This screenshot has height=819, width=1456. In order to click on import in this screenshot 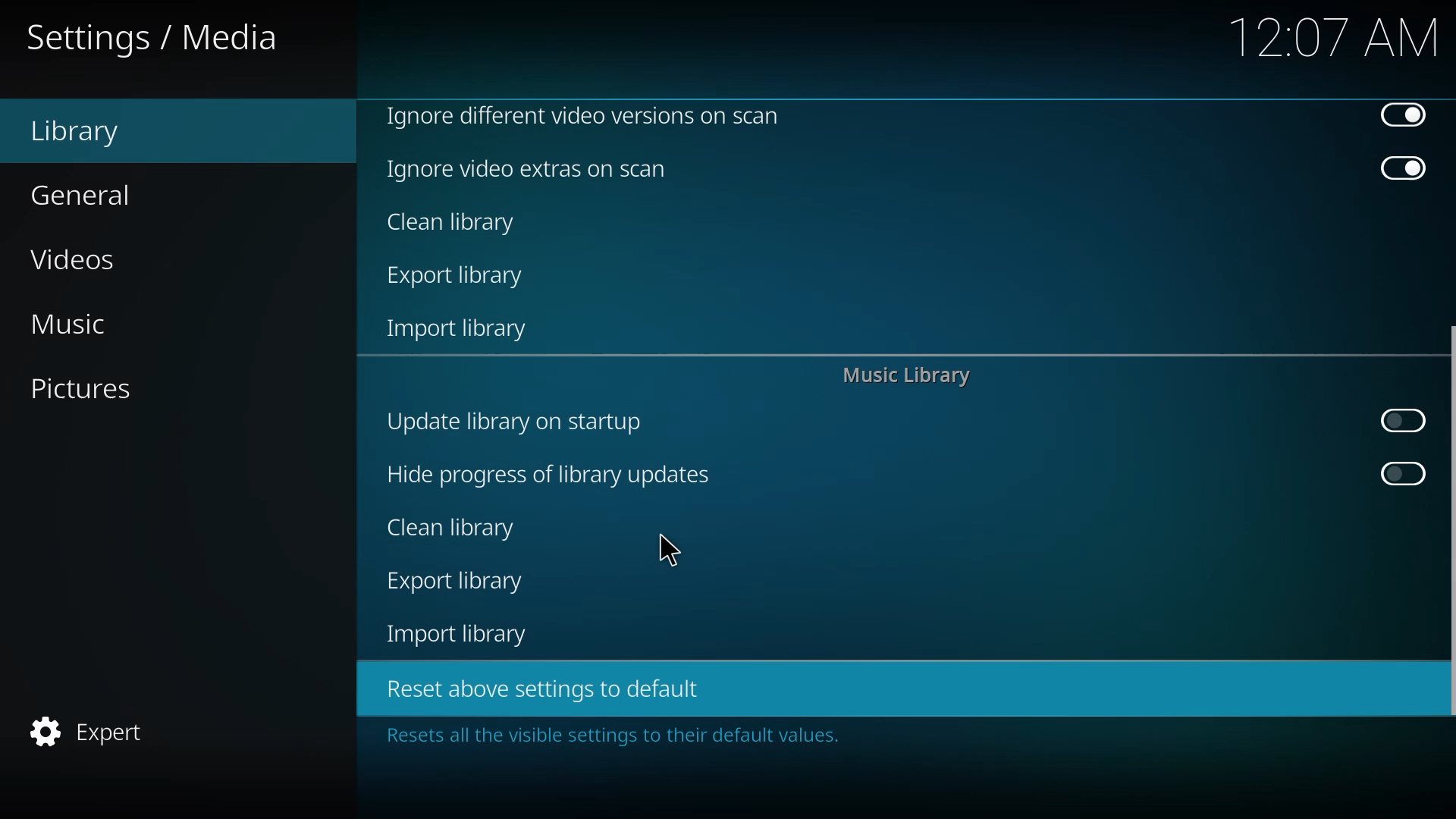, I will do `click(460, 331)`.